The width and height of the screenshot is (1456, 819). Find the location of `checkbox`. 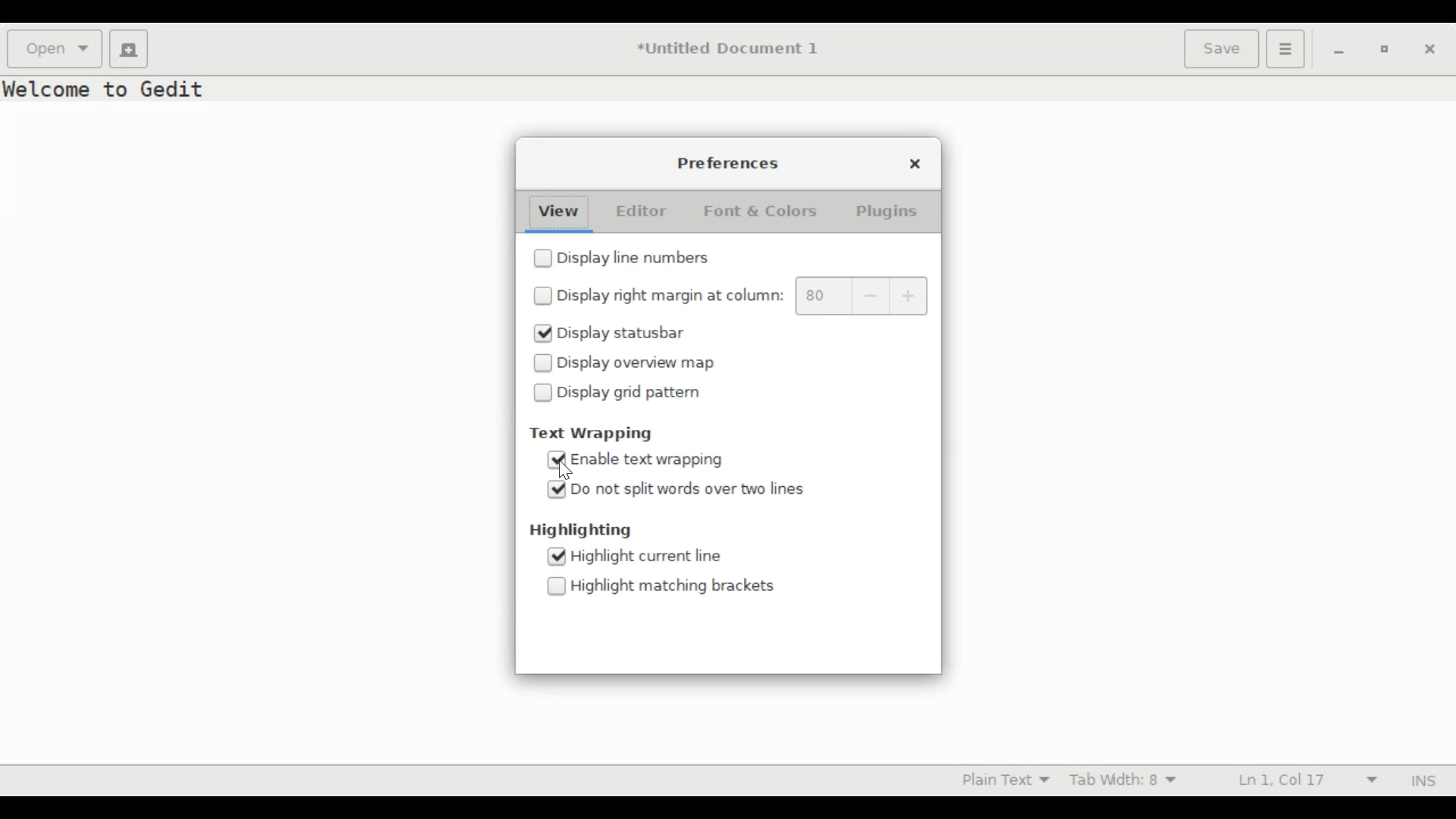

checkbox is located at coordinates (542, 259).